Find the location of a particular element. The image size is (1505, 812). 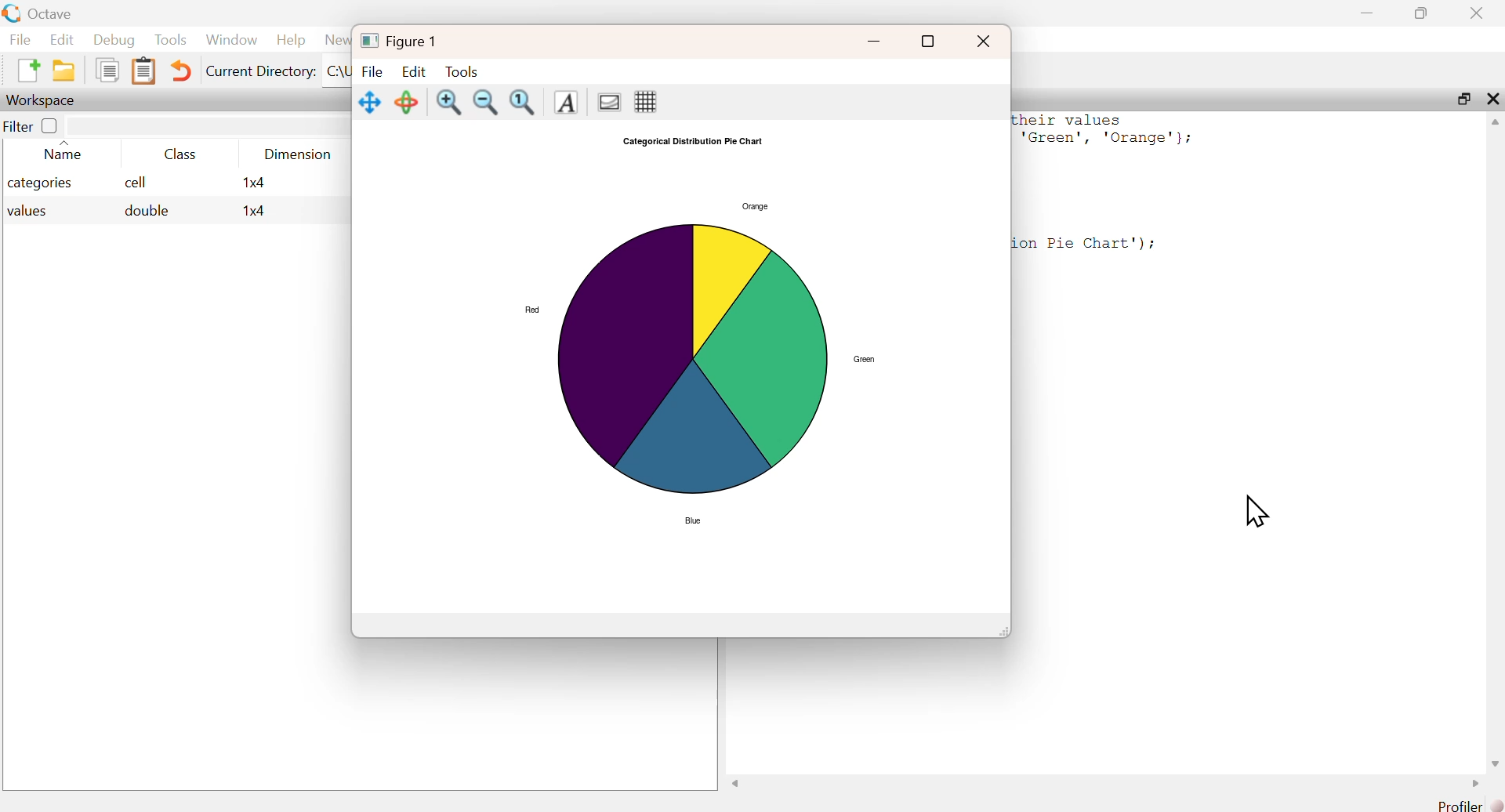

Edit is located at coordinates (61, 40).